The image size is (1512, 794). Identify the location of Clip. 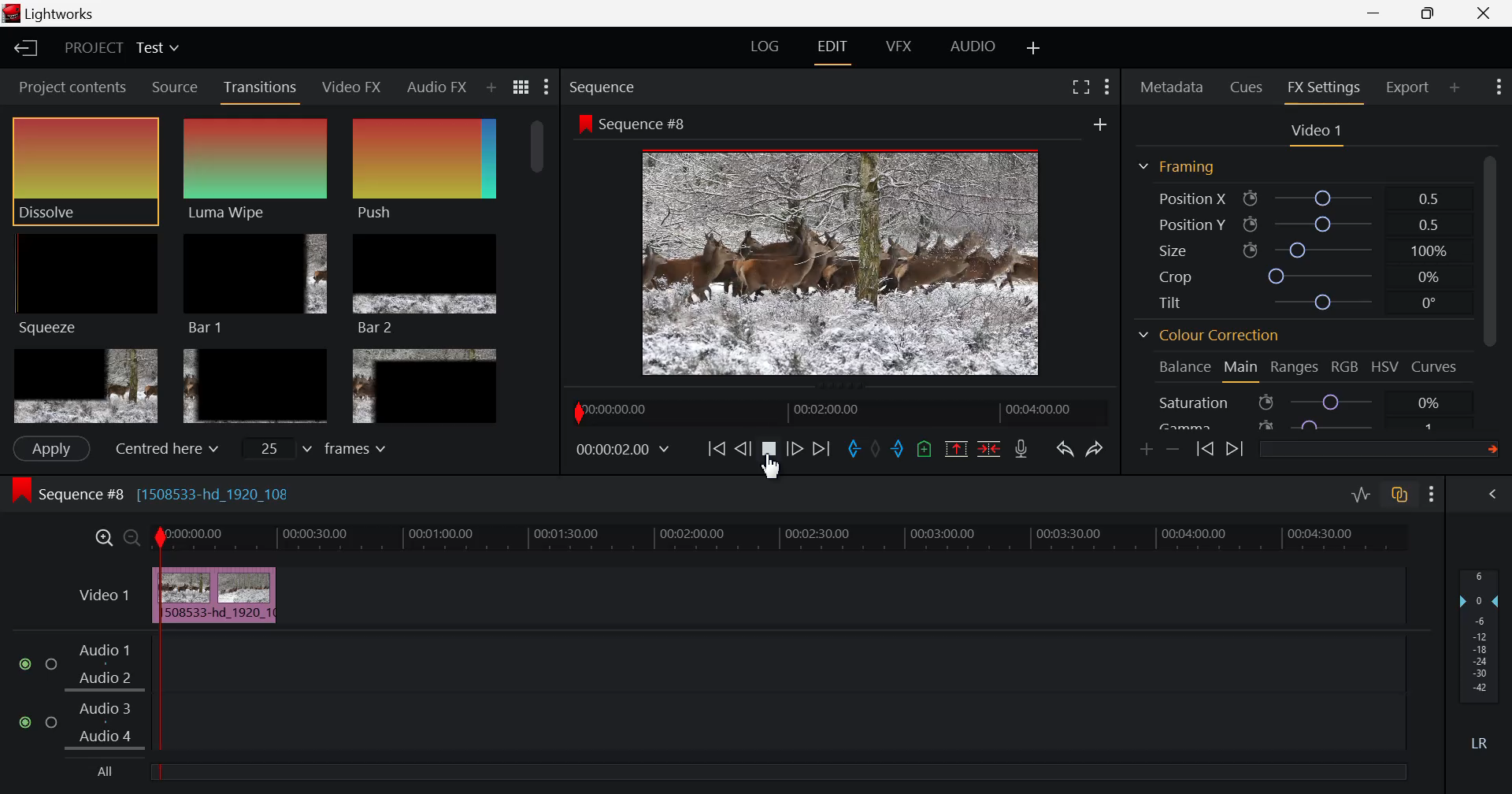
(232, 596).